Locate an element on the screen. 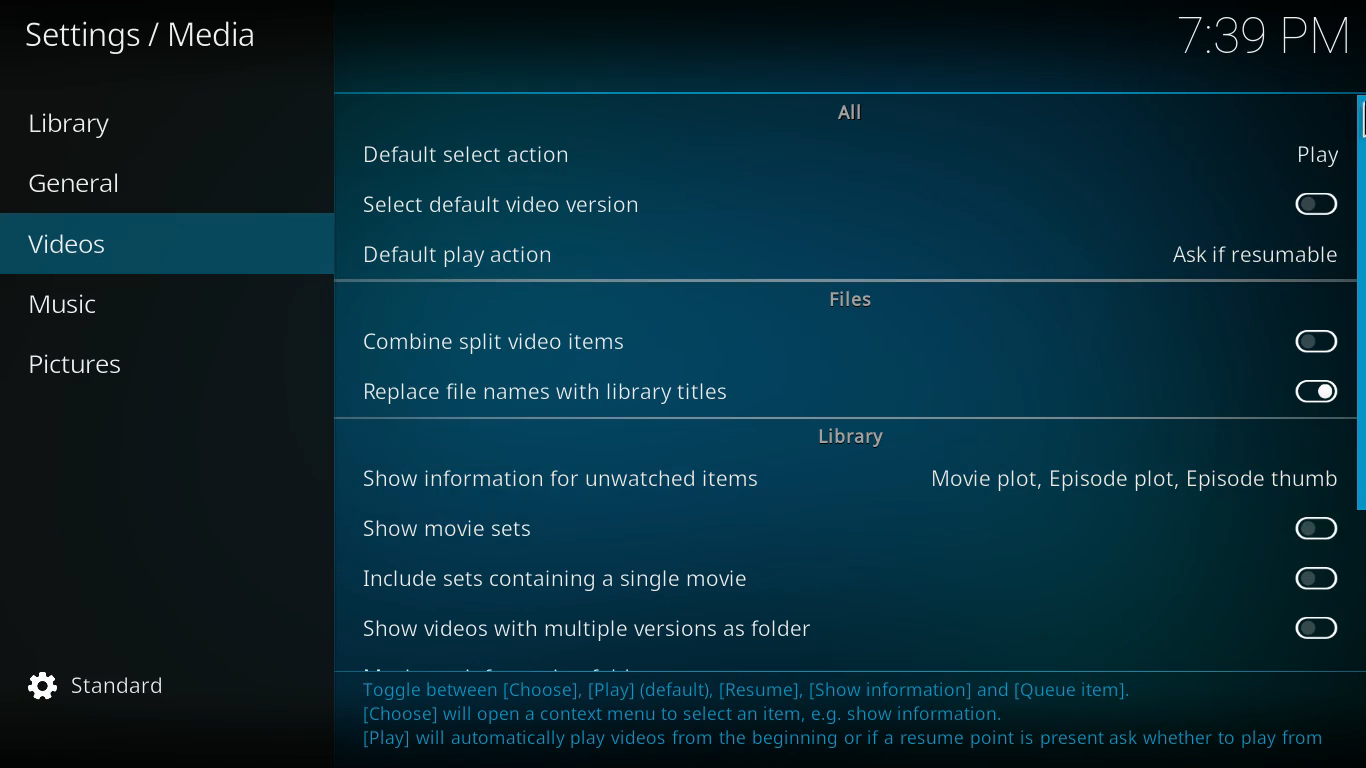  videos is located at coordinates (150, 246).